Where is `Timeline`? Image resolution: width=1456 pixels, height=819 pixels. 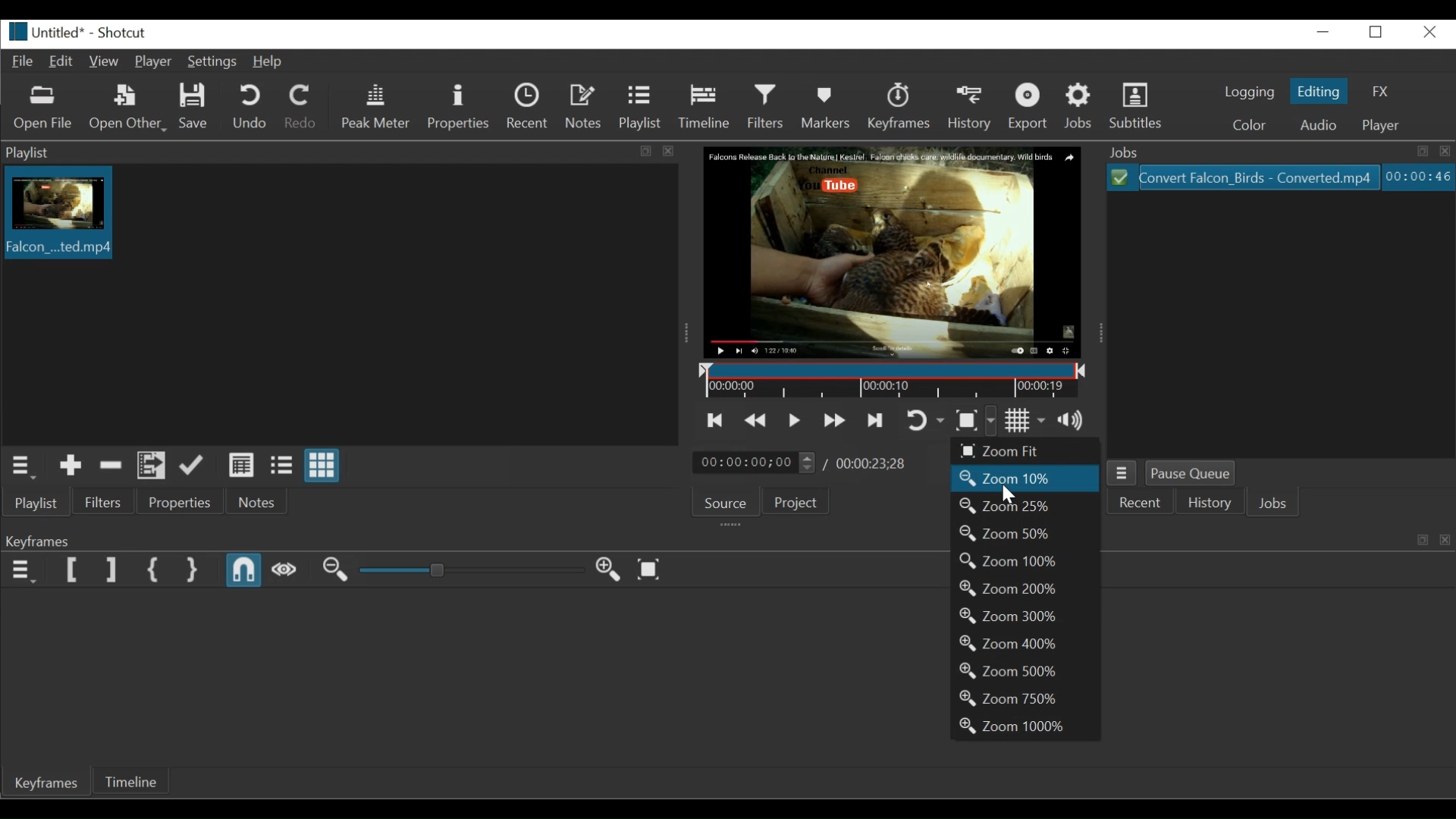 Timeline is located at coordinates (708, 108).